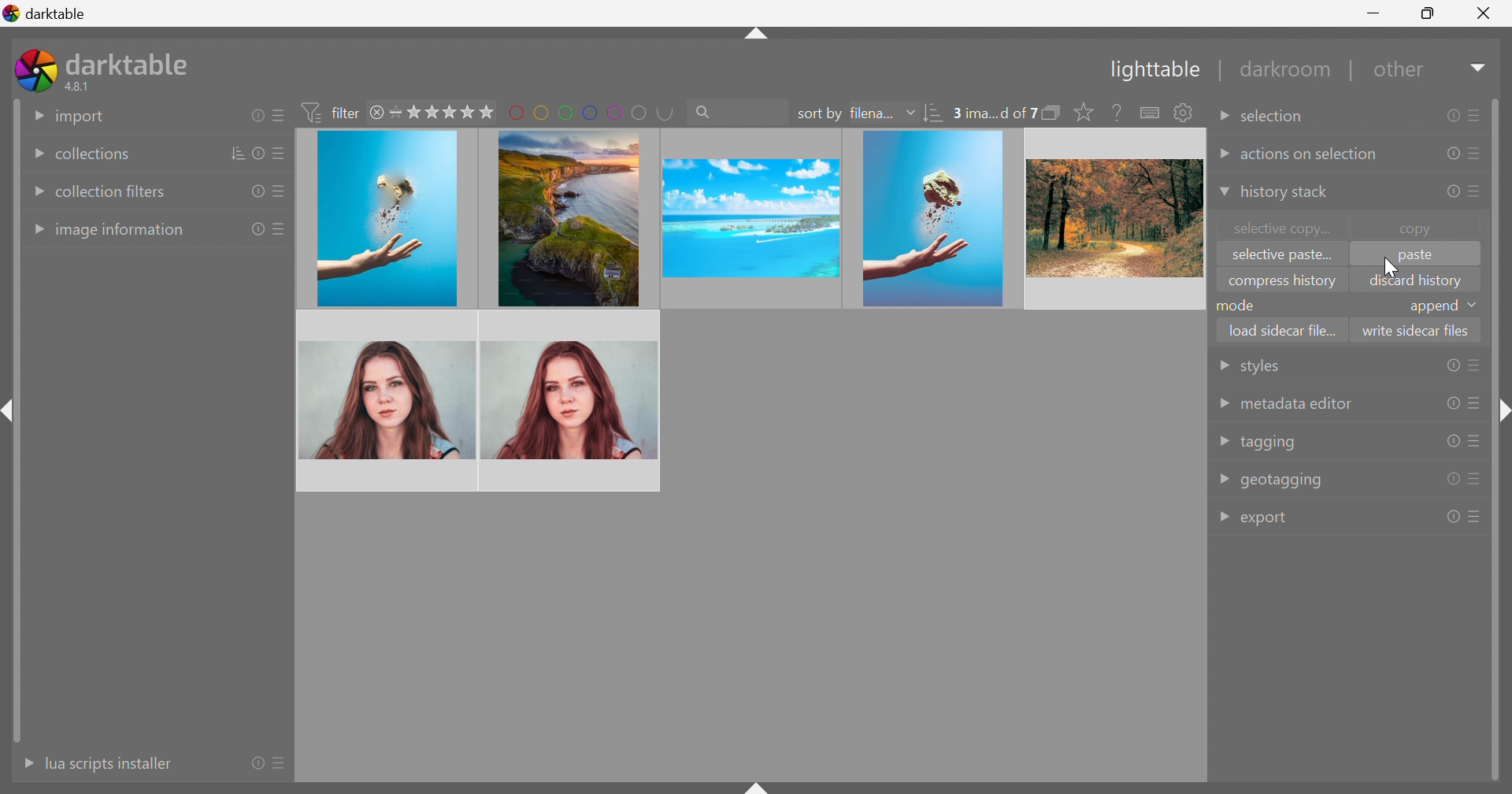 The width and height of the screenshot is (1512, 794). What do you see at coordinates (1113, 218) in the screenshot?
I see `image` at bounding box center [1113, 218].